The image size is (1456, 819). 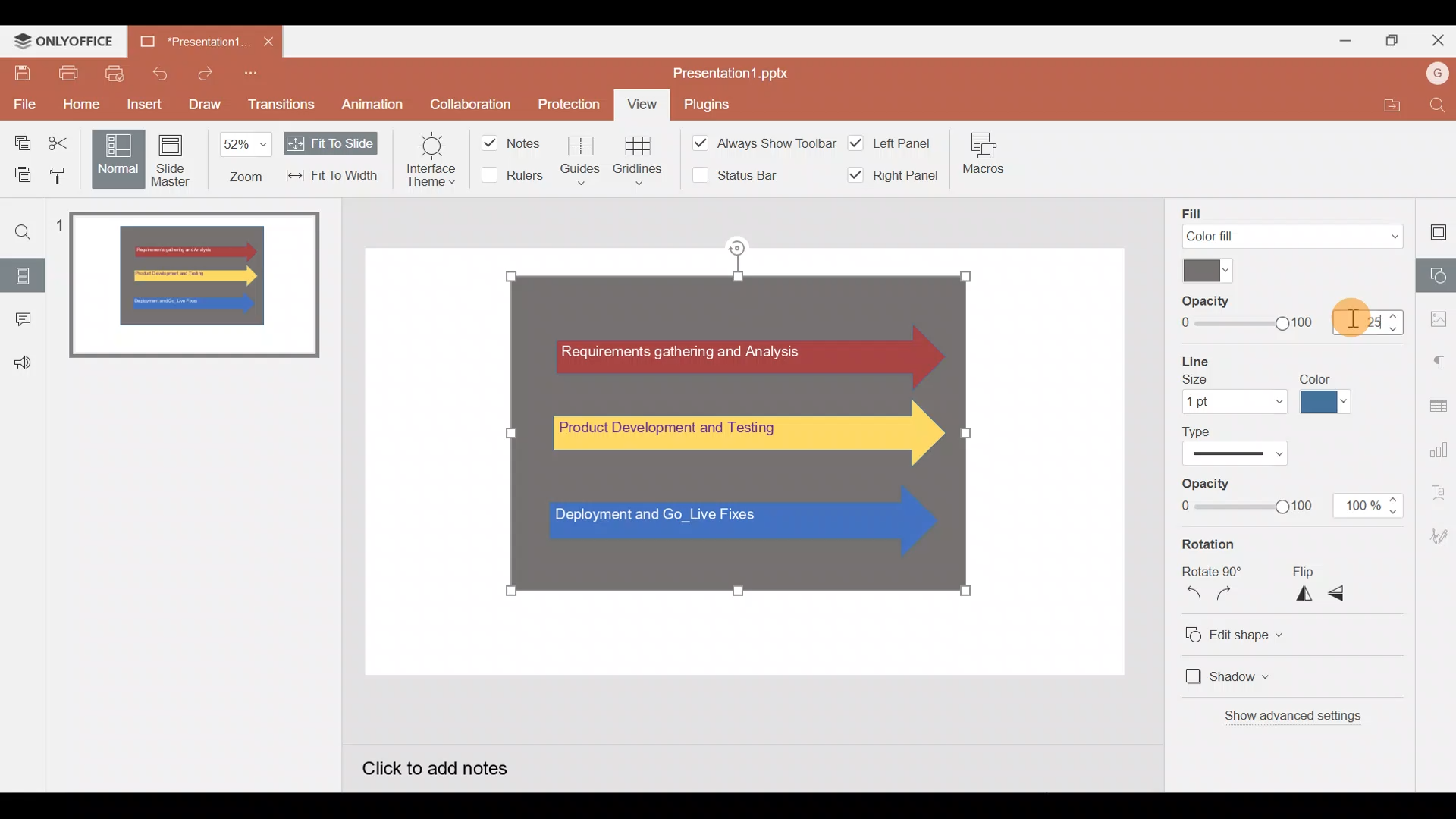 I want to click on Comments, so click(x=24, y=315).